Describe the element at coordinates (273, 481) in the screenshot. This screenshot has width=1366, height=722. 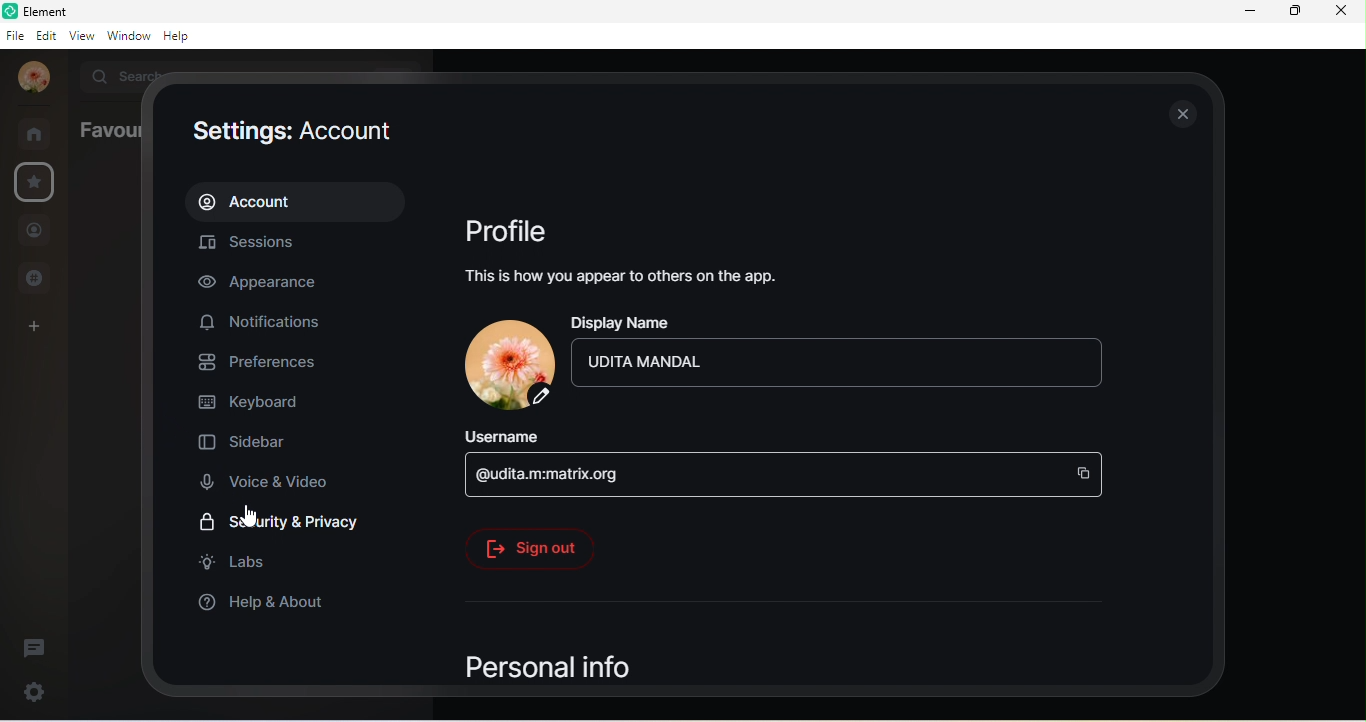
I see `voice and video` at that location.